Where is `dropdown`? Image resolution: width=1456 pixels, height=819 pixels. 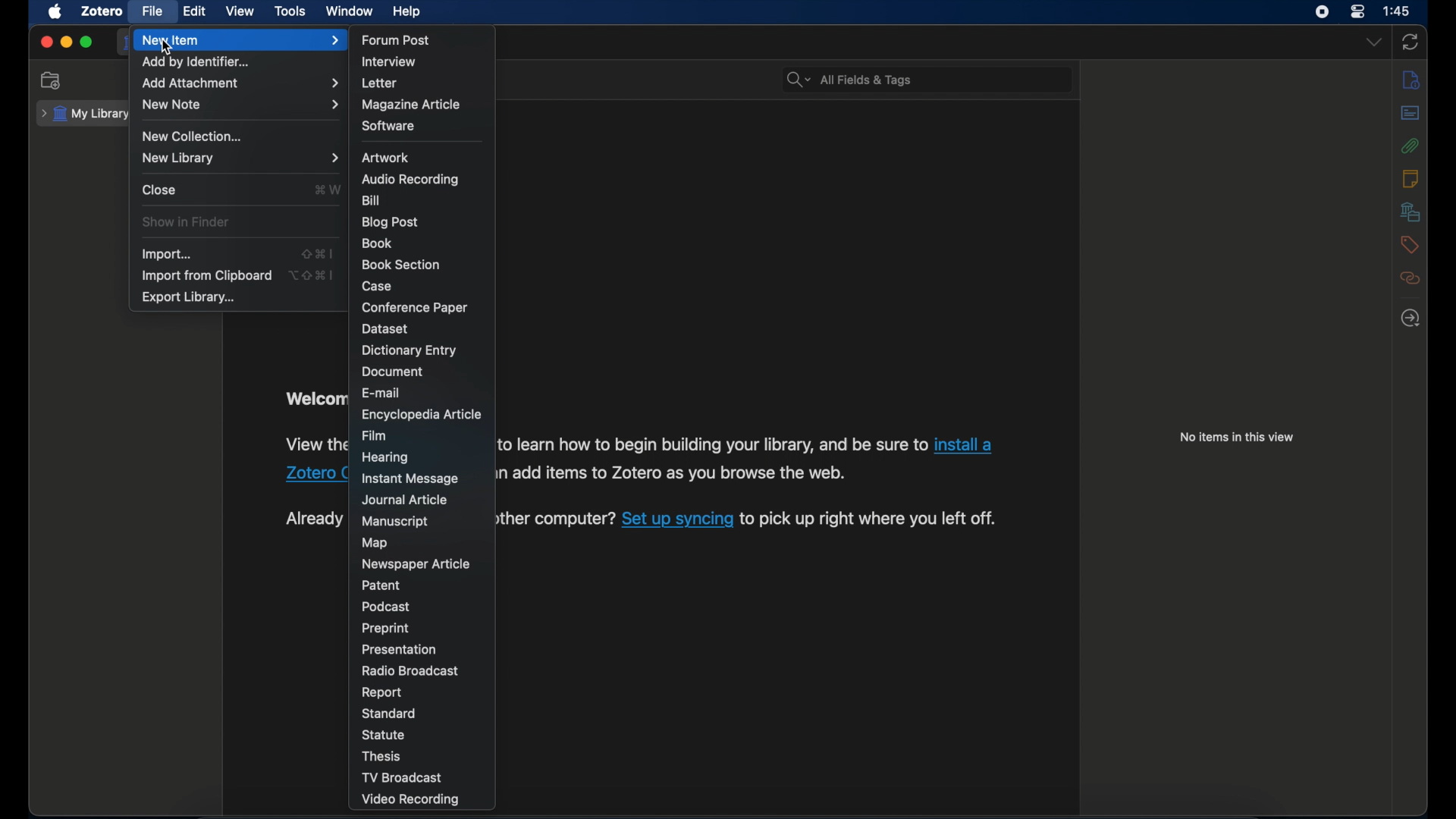
dropdown is located at coordinates (1374, 43).